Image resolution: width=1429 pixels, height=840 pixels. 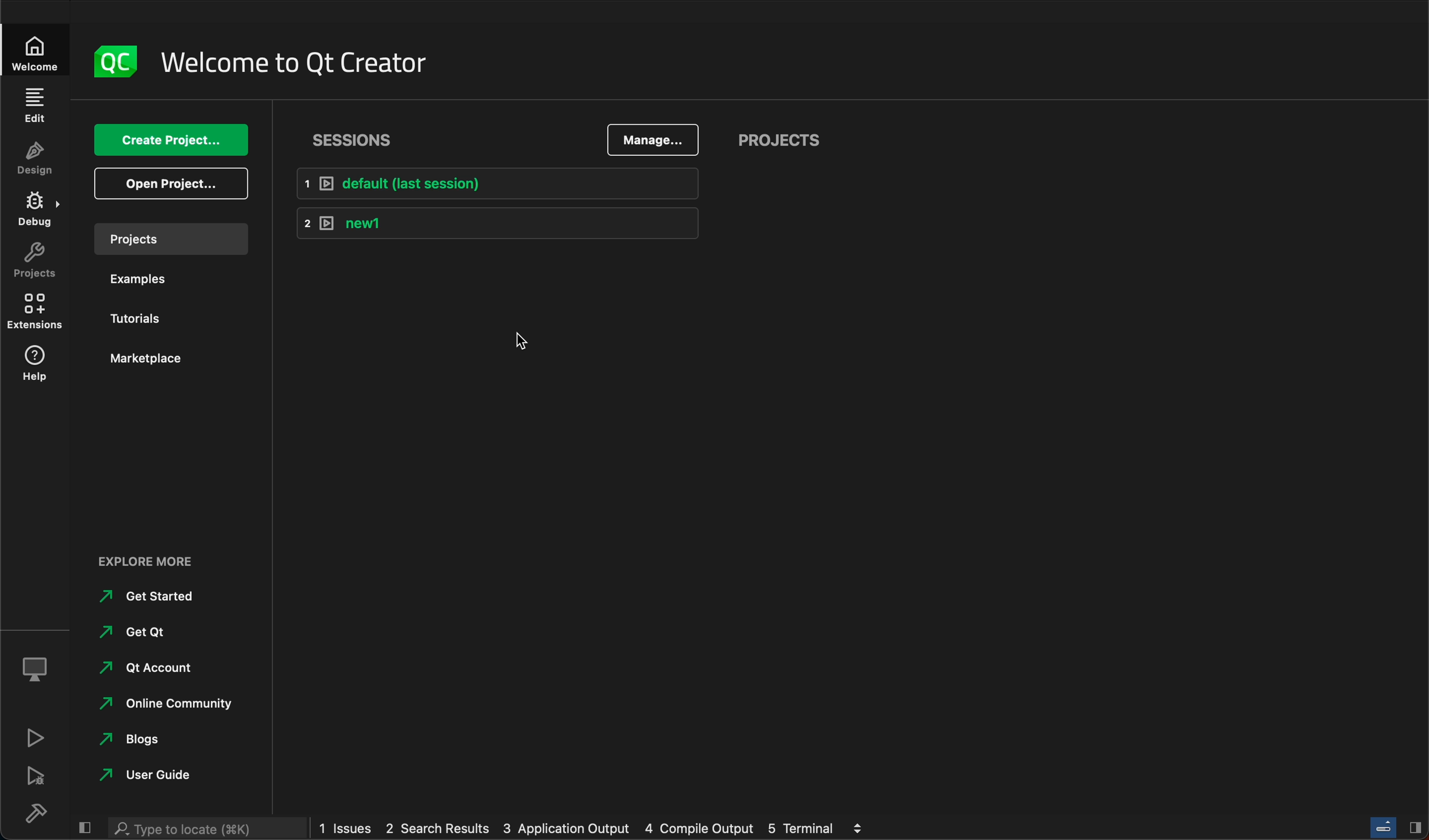 What do you see at coordinates (135, 737) in the screenshot?
I see `blogs` at bounding box center [135, 737].